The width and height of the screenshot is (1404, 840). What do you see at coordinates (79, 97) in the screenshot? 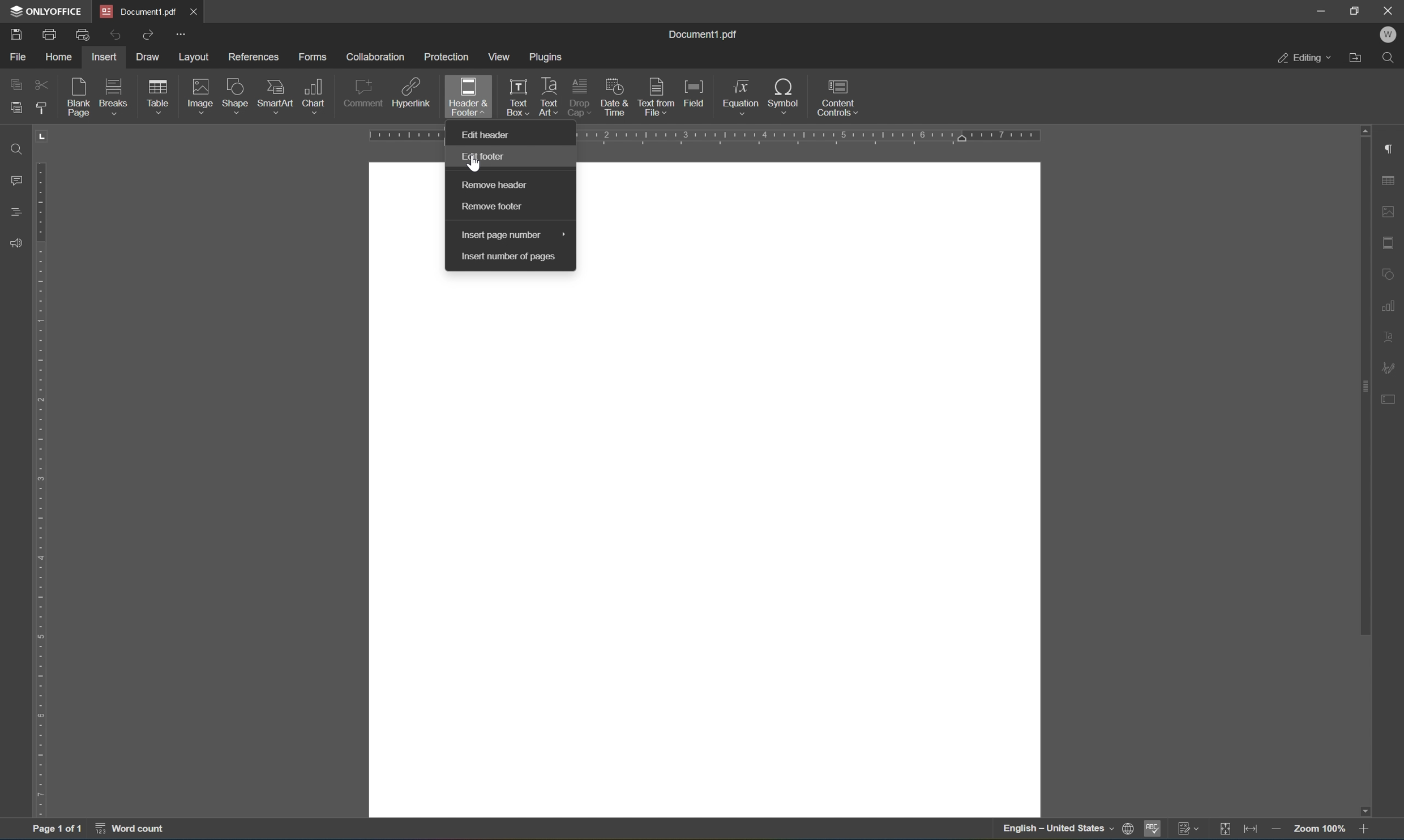
I see `blank page` at bounding box center [79, 97].